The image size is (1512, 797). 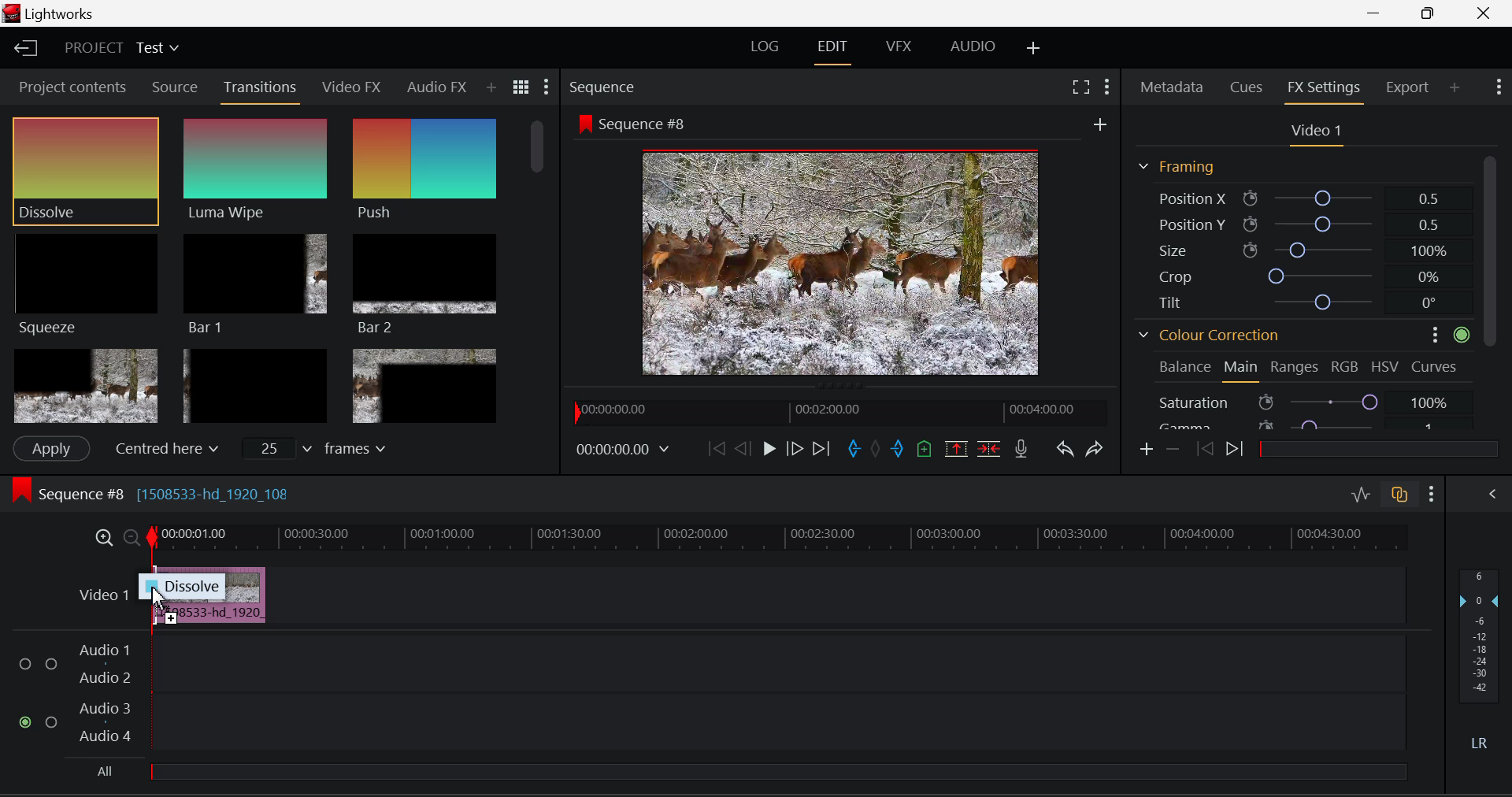 What do you see at coordinates (1096, 450) in the screenshot?
I see `Redo` at bounding box center [1096, 450].